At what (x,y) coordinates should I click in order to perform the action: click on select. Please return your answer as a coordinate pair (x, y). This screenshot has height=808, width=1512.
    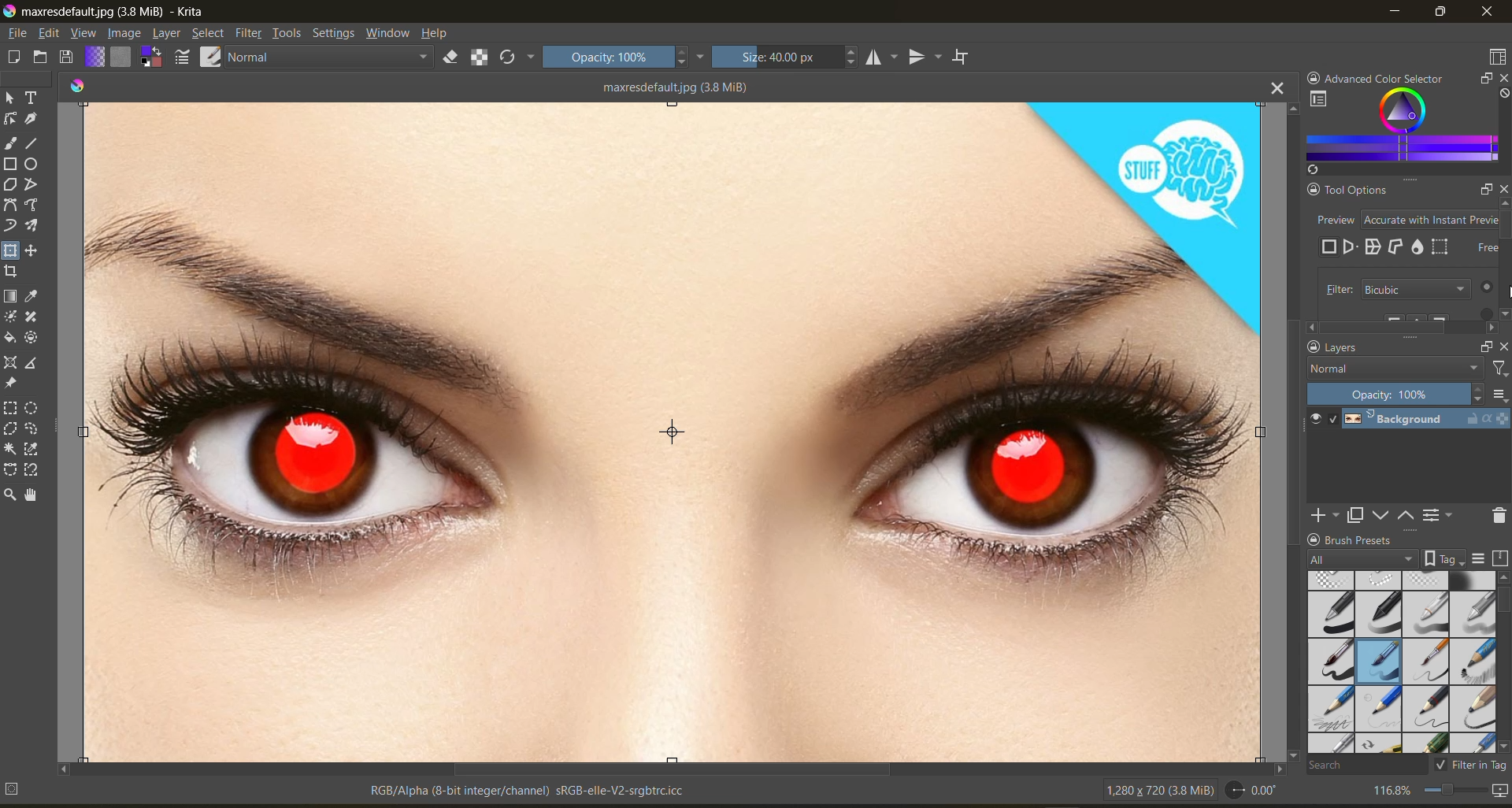
    Looking at the image, I should click on (209, 35).